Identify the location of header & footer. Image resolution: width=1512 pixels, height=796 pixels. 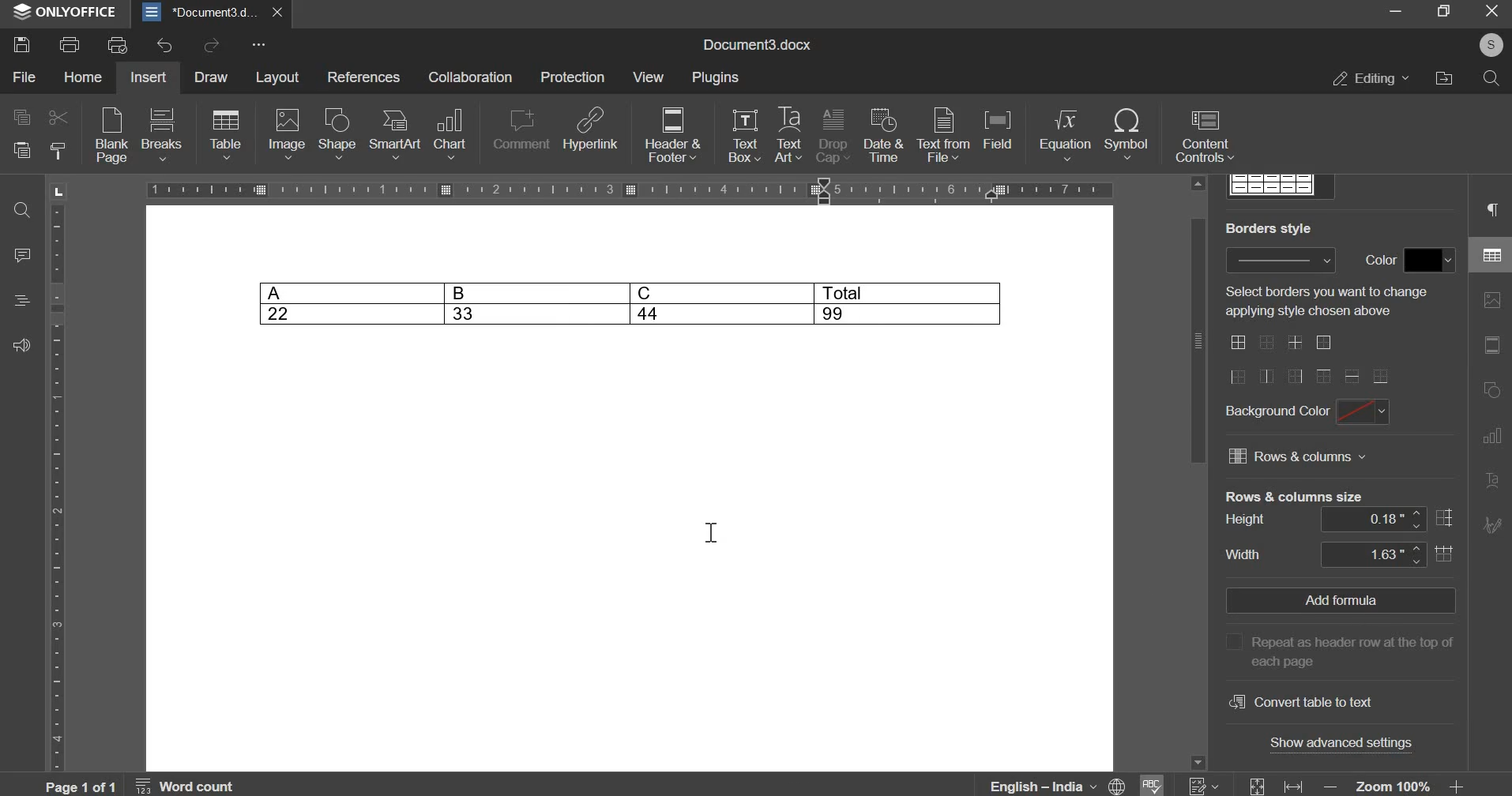
(673, 136).